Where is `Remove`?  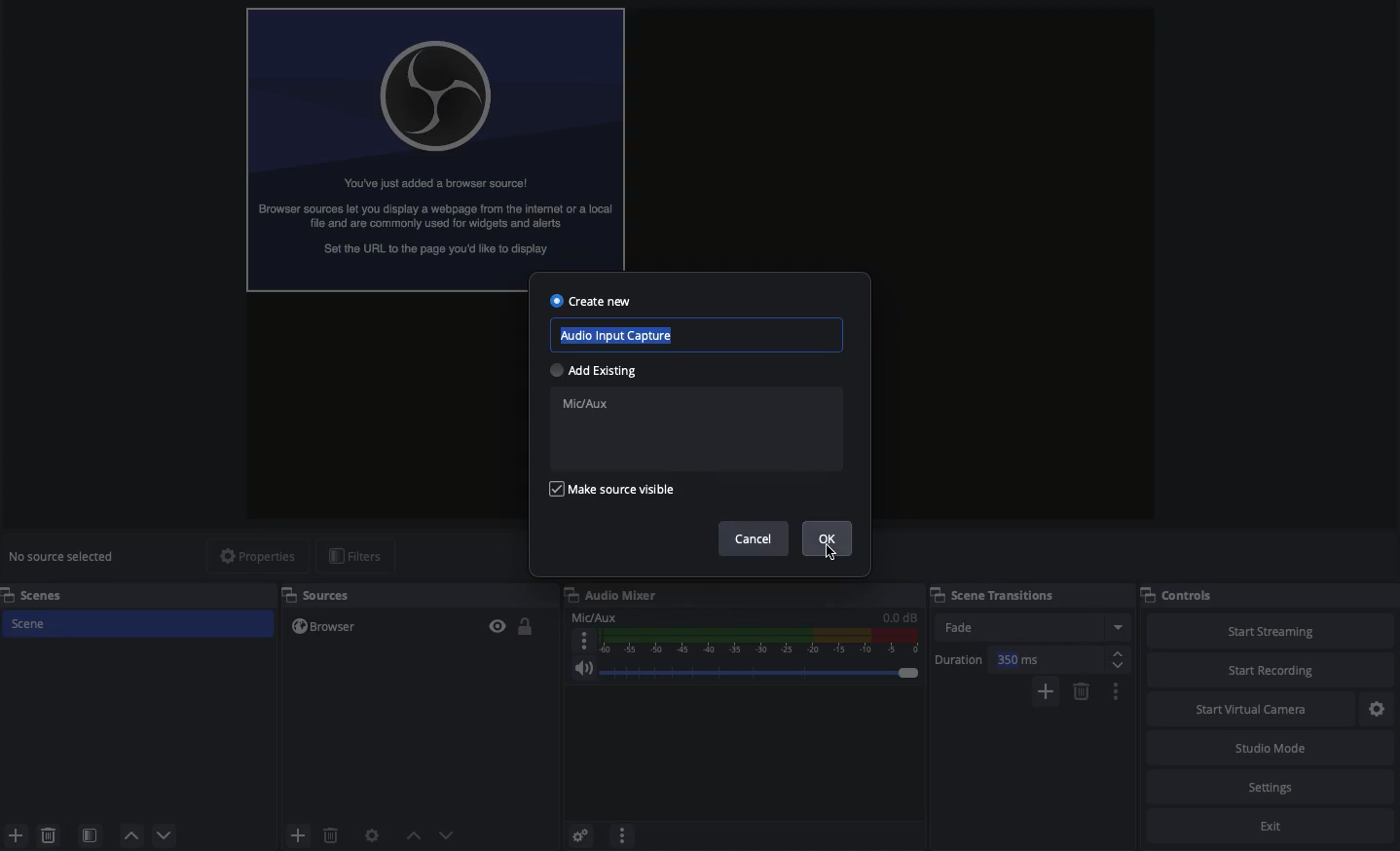 Remove is located at coordinates (1082, 692).